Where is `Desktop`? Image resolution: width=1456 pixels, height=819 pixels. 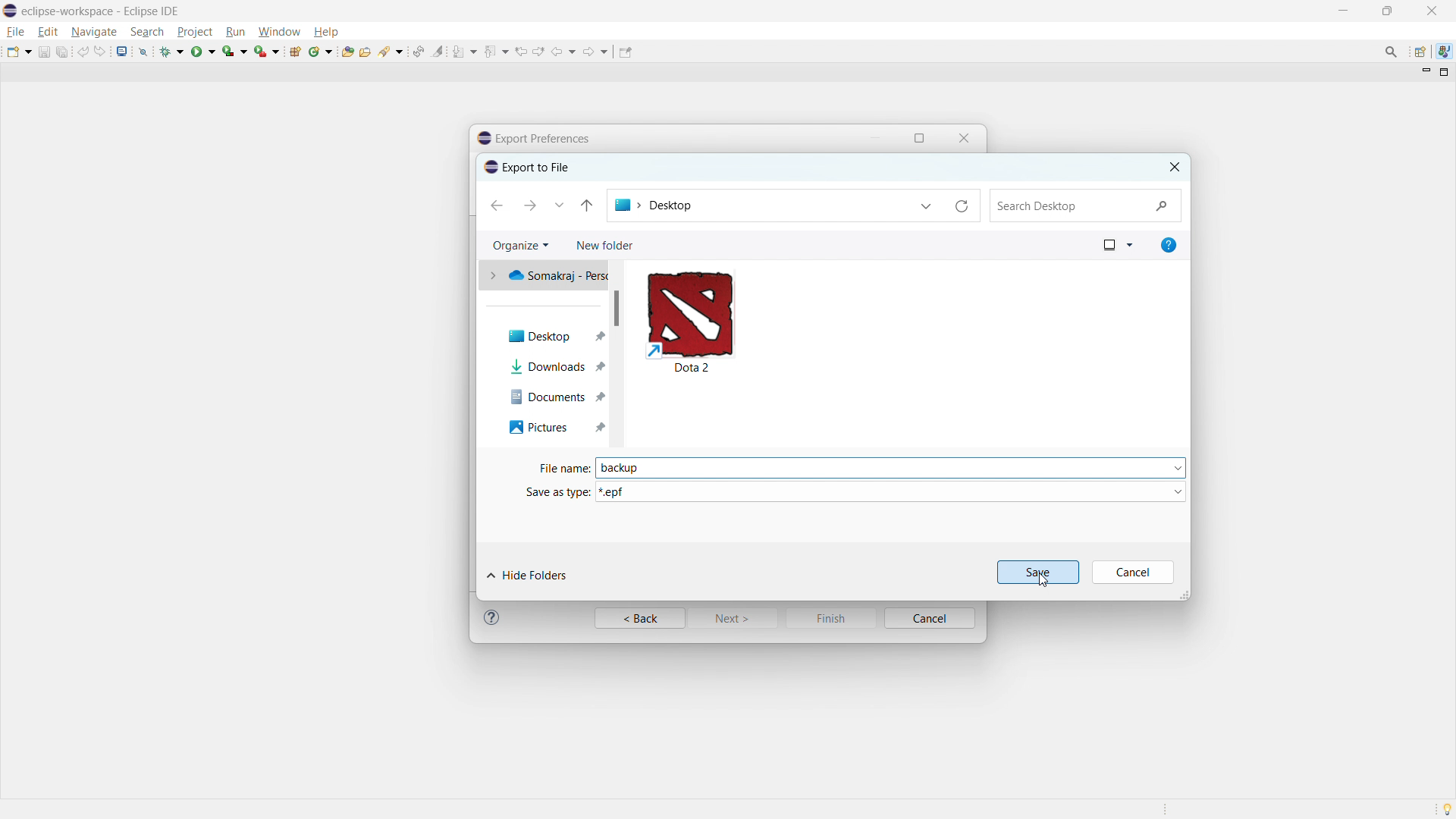 Desktop is located at coordinates (794, 203).